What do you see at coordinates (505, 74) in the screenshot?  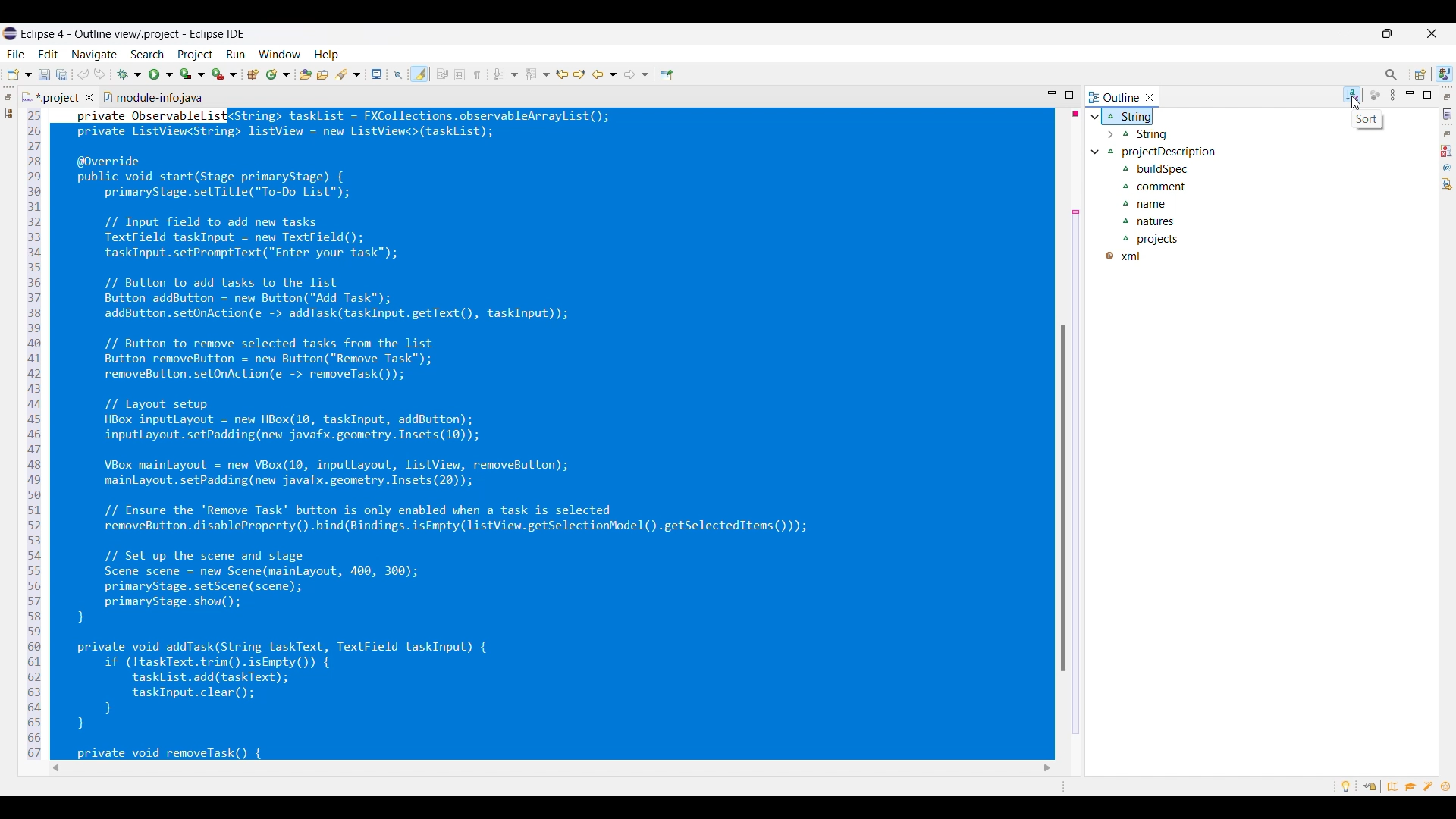 I see `Next annotation` at bounding box center [505, 74].